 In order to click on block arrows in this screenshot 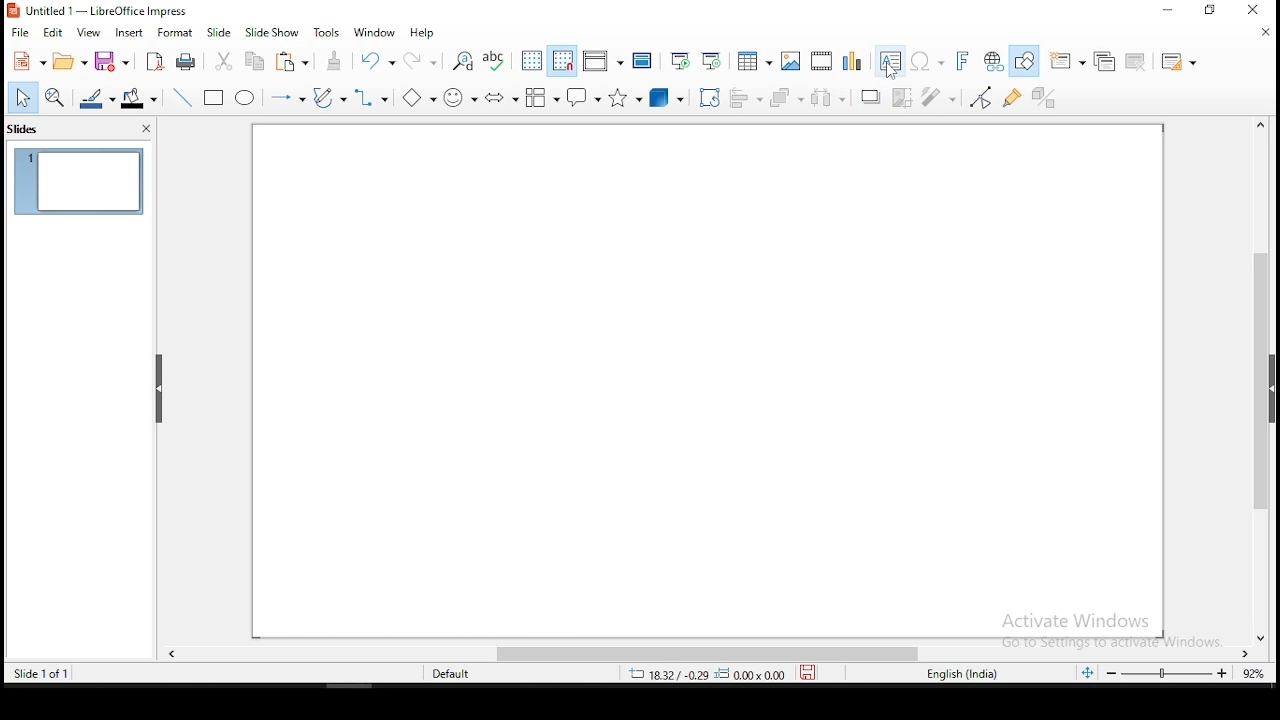, I will do `click(500, 99)`.